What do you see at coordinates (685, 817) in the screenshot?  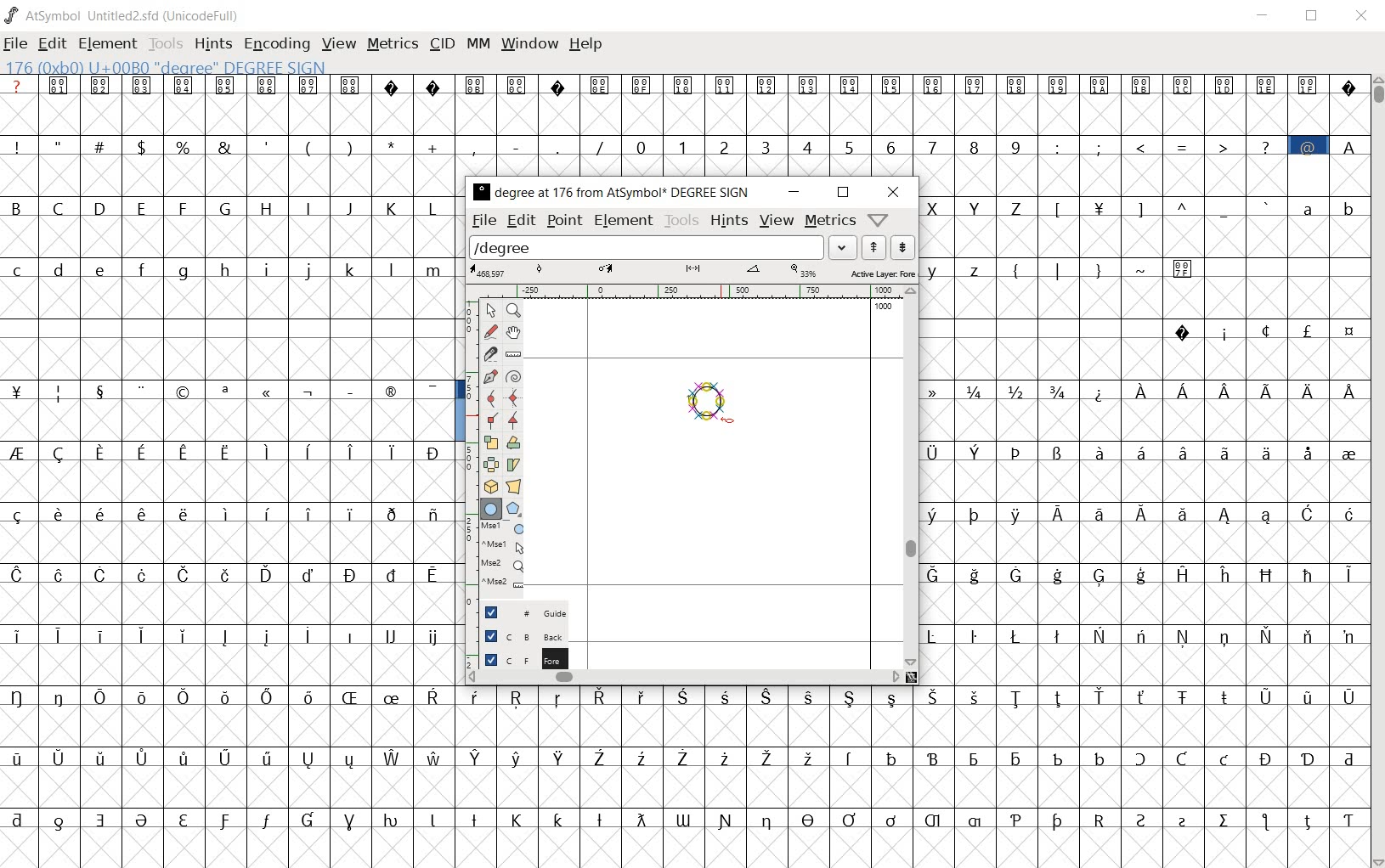 I see `special letters` at bounding box center [685, 817].